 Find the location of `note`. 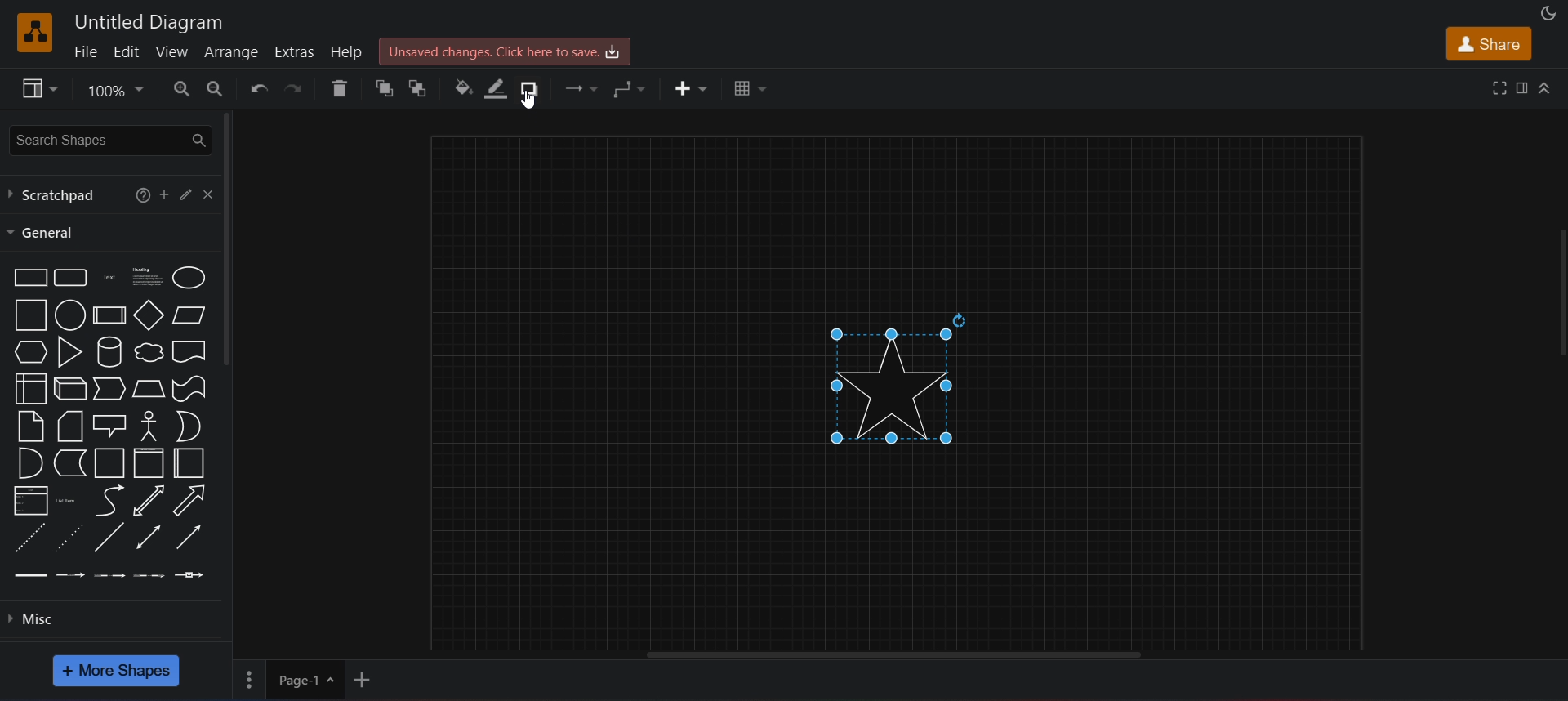

note is located at coordinates (29, 425).